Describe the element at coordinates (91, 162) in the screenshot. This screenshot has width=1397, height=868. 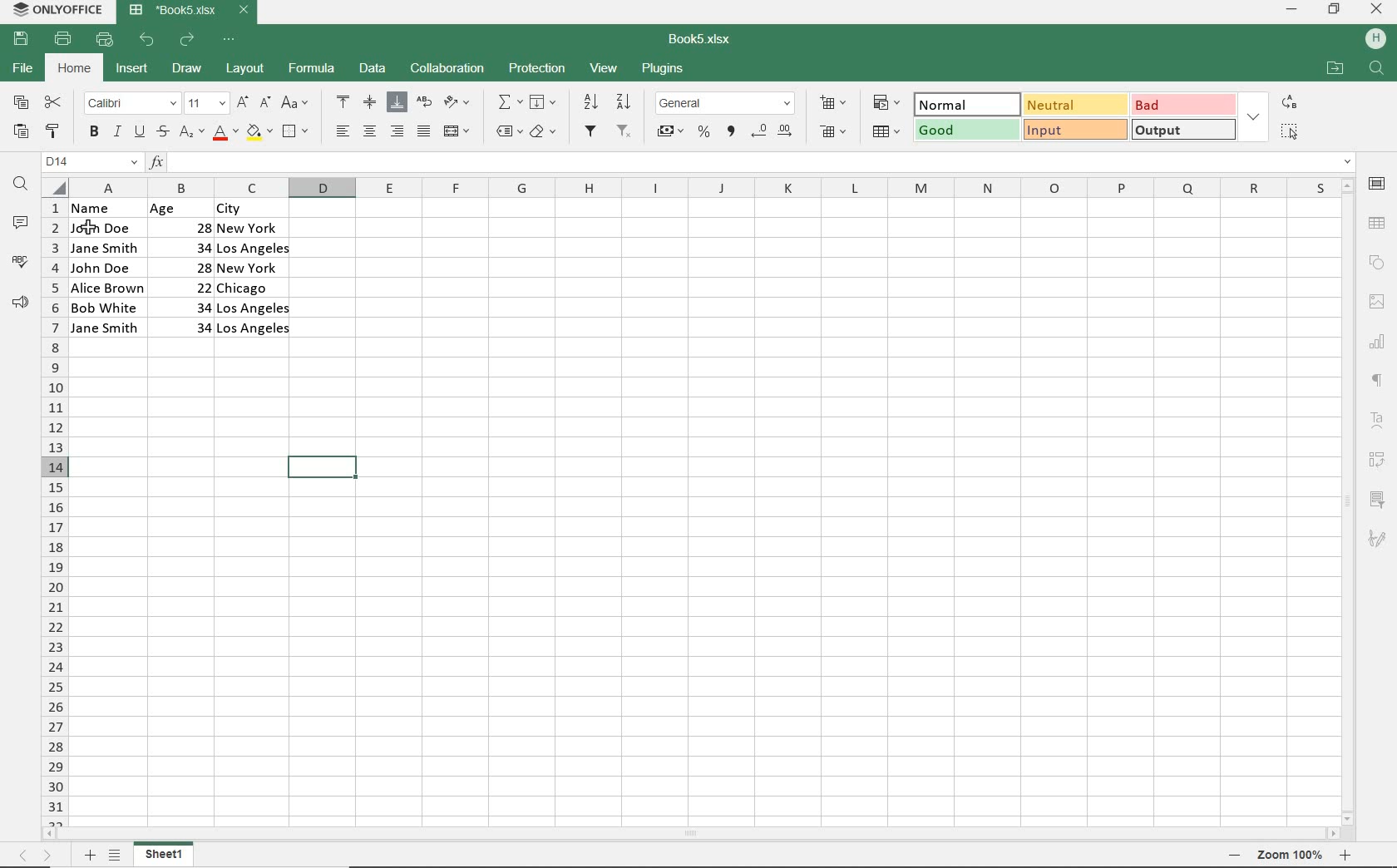
I see `NAME MANAGER` at that location.